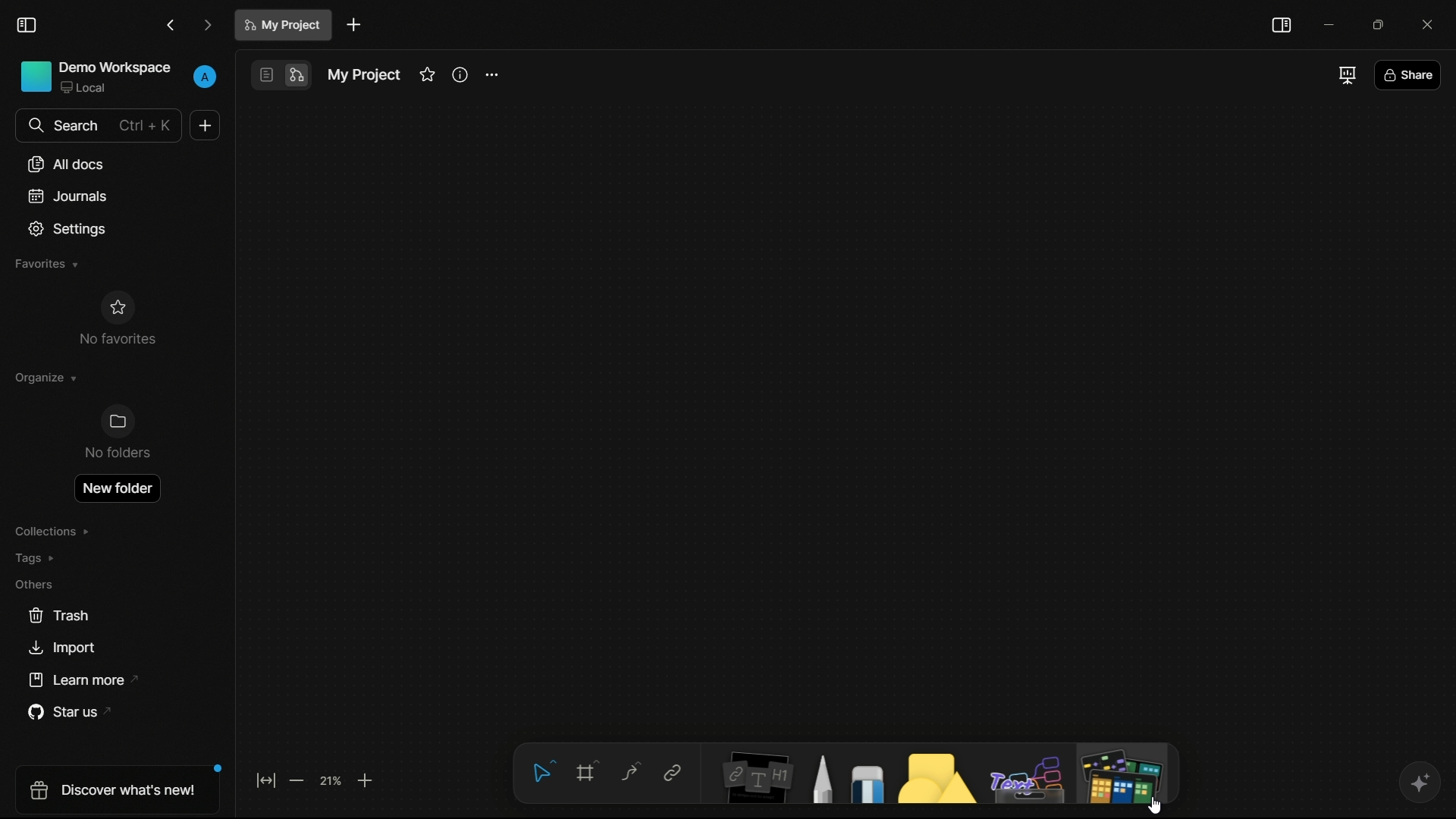 This screenshot has width=1456, height=819. I want to click on import, so click(64, 650).